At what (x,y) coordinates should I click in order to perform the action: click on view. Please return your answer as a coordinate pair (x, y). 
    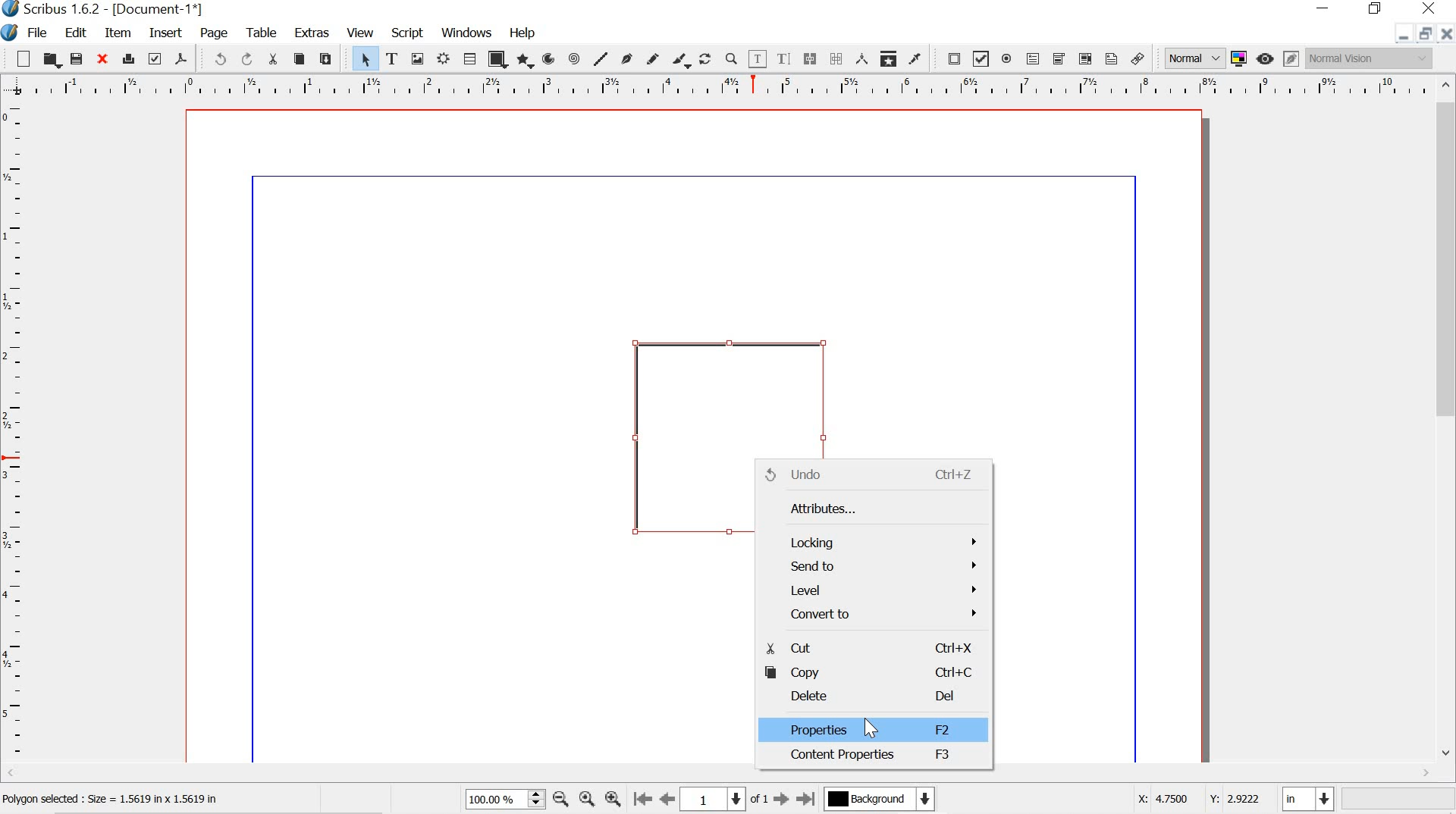
    Looking at the image, I should click on (362, 31).